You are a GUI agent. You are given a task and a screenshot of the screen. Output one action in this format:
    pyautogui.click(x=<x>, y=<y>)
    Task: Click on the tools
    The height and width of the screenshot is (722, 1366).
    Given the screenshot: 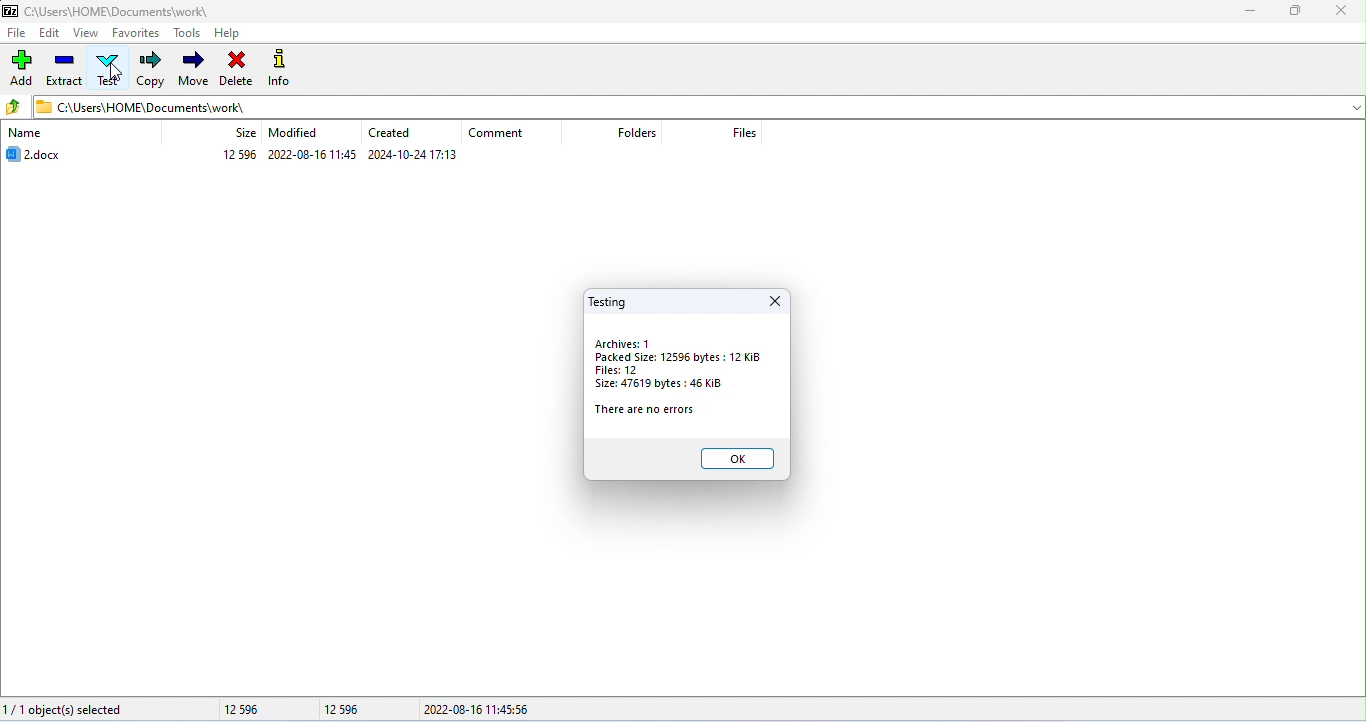 What is the action you would take?
    pyautogui.click(x=188, y=31)
    